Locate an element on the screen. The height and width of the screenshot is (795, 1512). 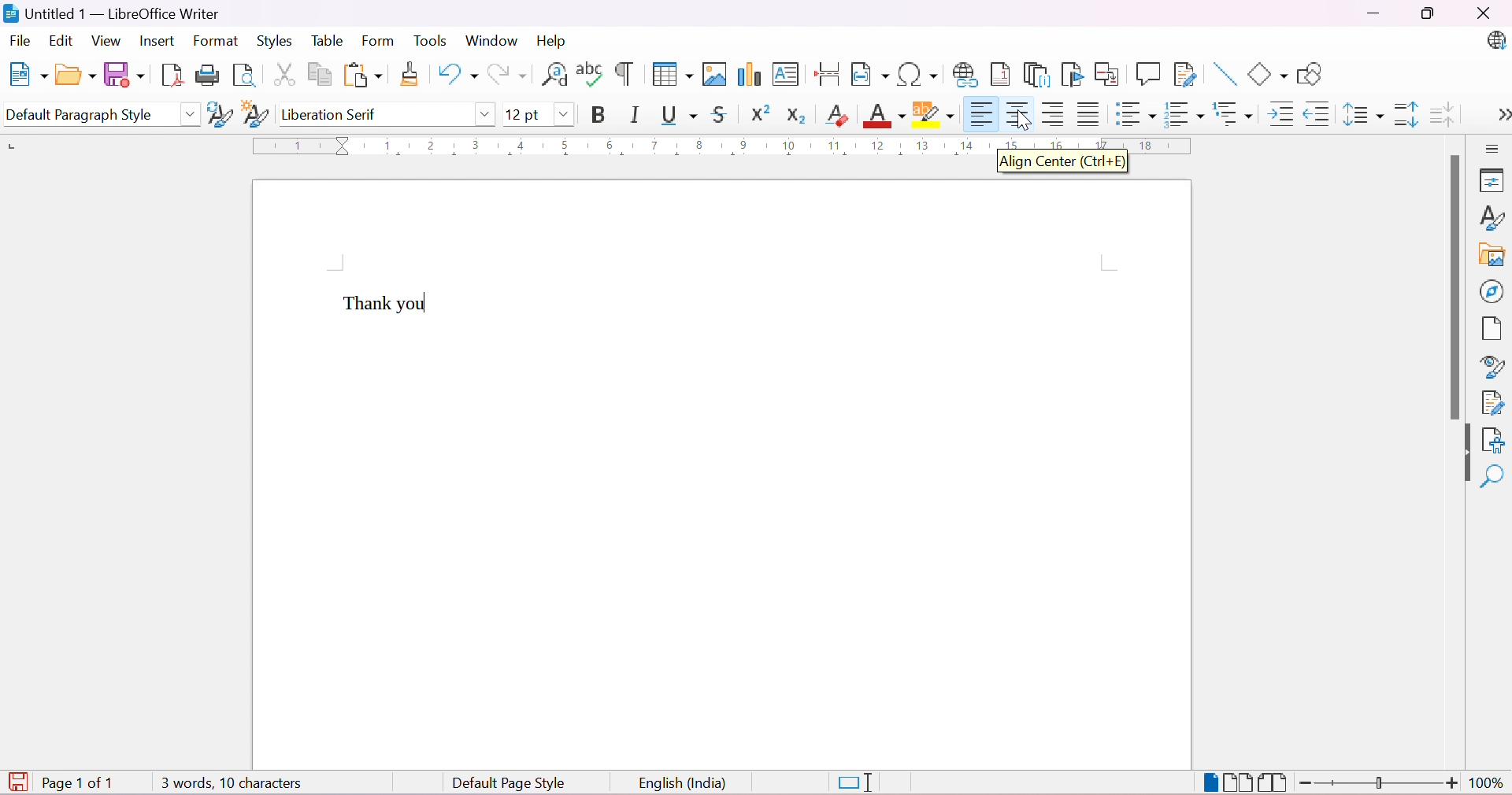
Insert Line is located at coordinates (1222, 74).